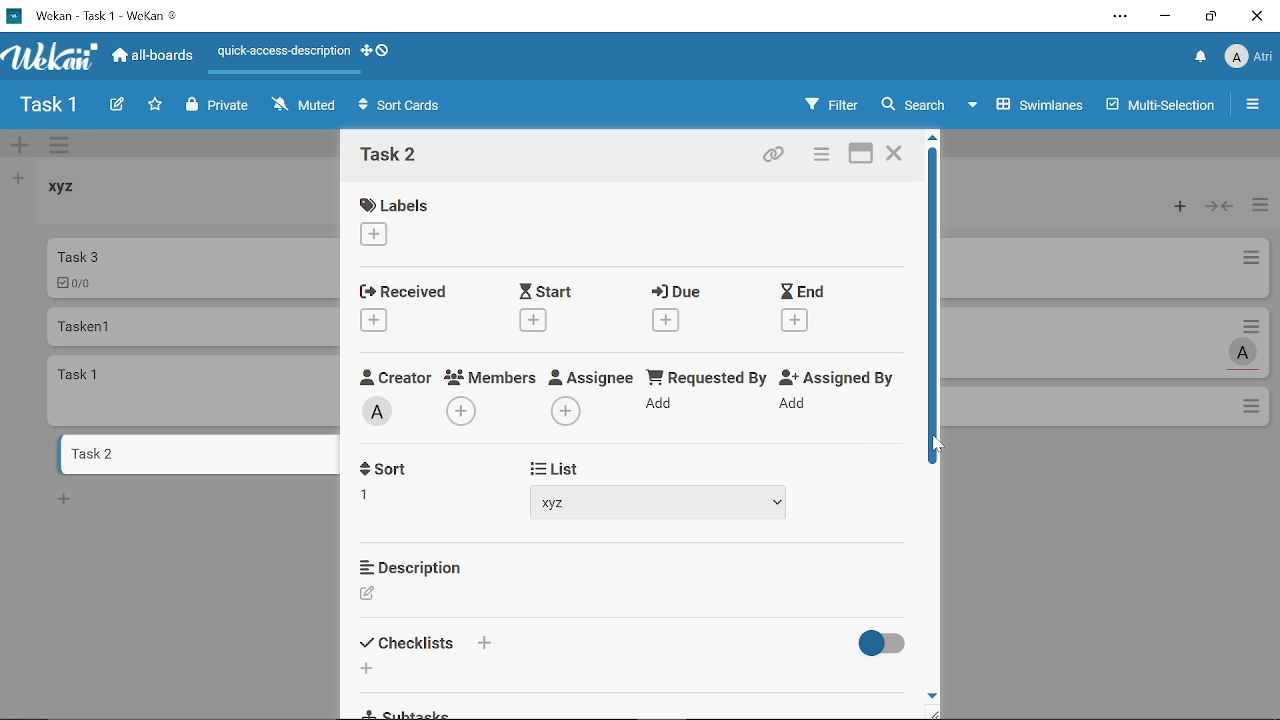 The width and height of the screenshot is (1280, 720). What do you see at coordinates (403, 640) in the screenshot?
I see `Checklists` at bounding box center [403, 640].